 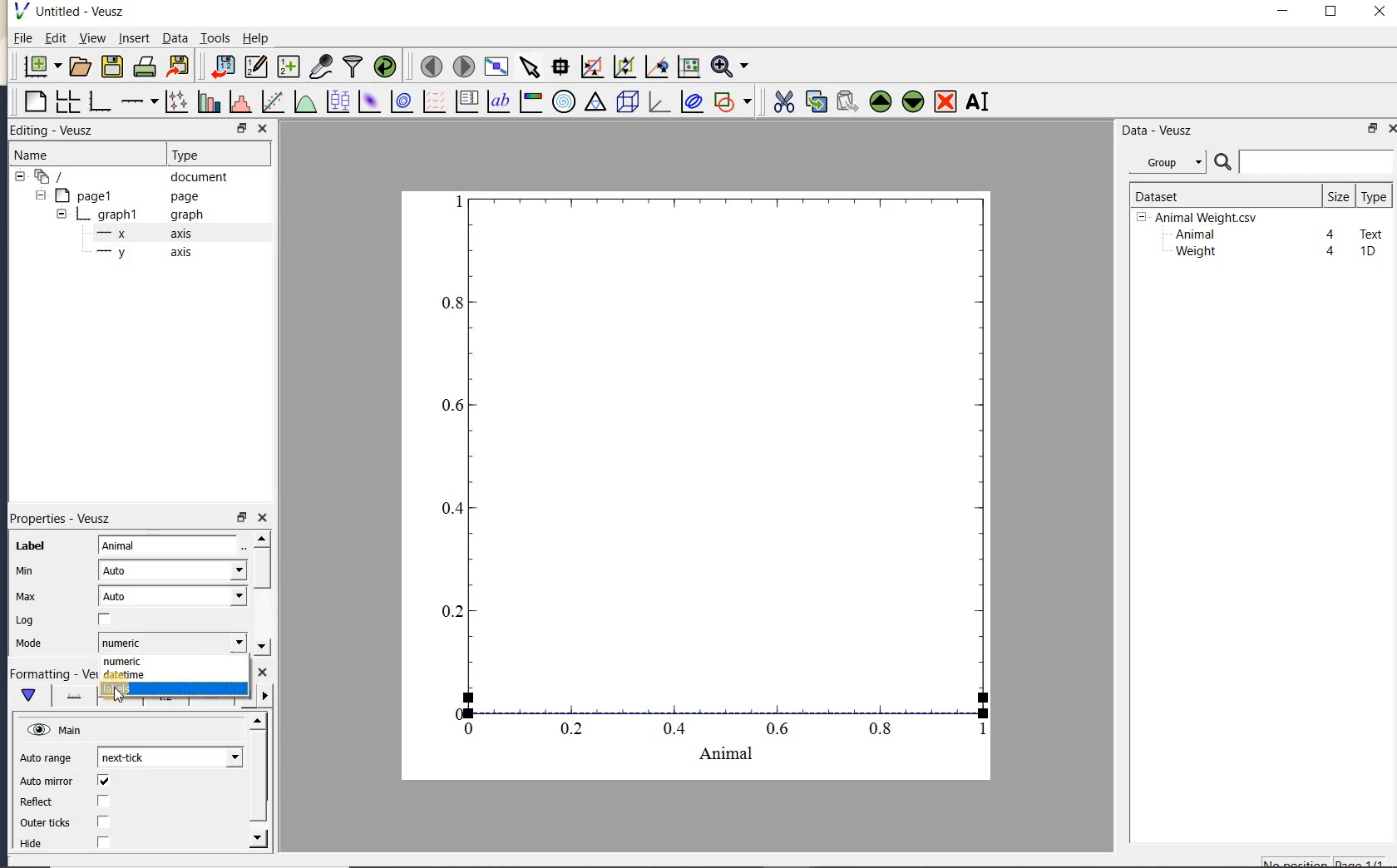 I want to click on labels, so click(x=120, y=690).